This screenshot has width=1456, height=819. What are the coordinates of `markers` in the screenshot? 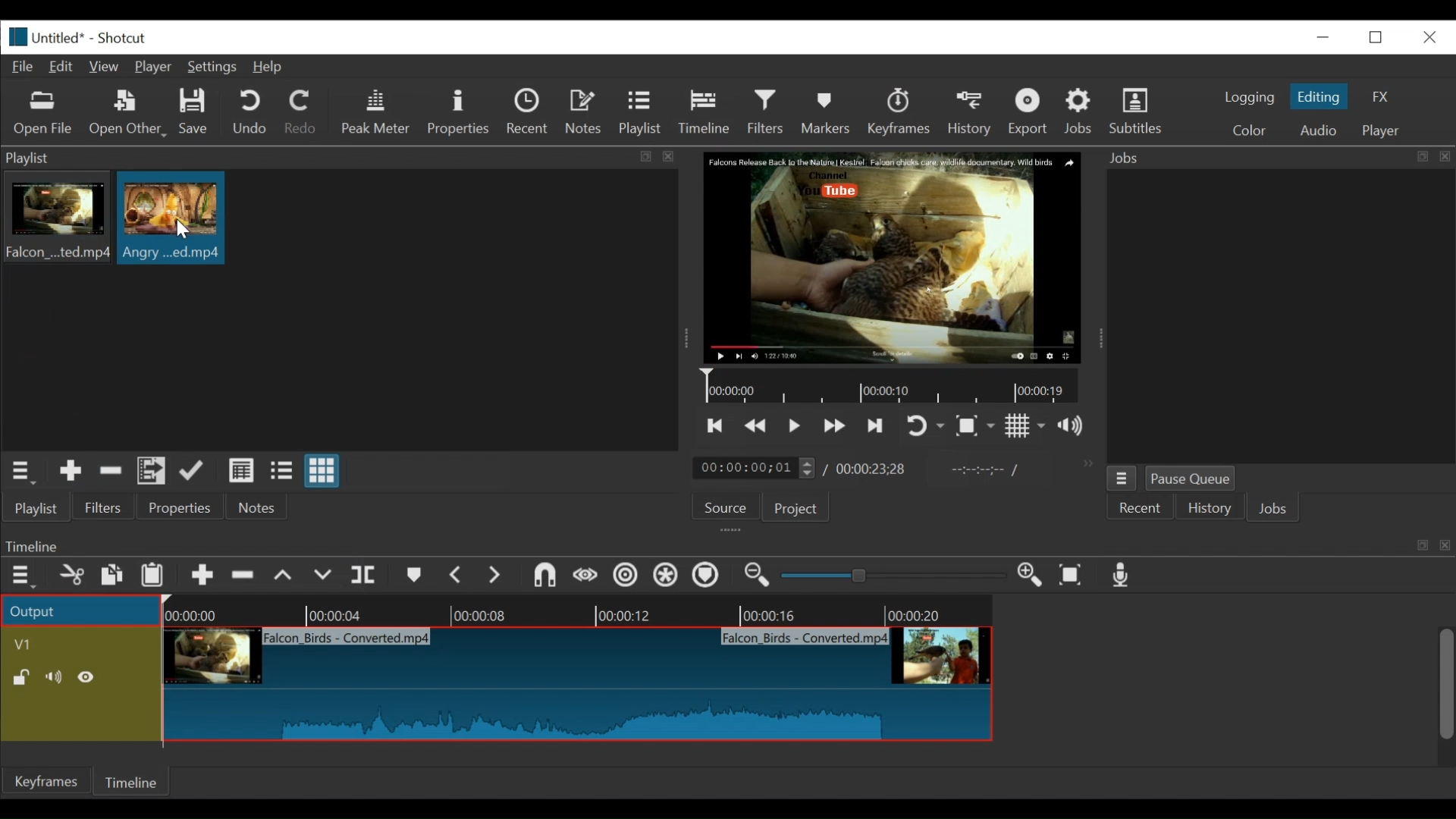 It's located at (413, 579).